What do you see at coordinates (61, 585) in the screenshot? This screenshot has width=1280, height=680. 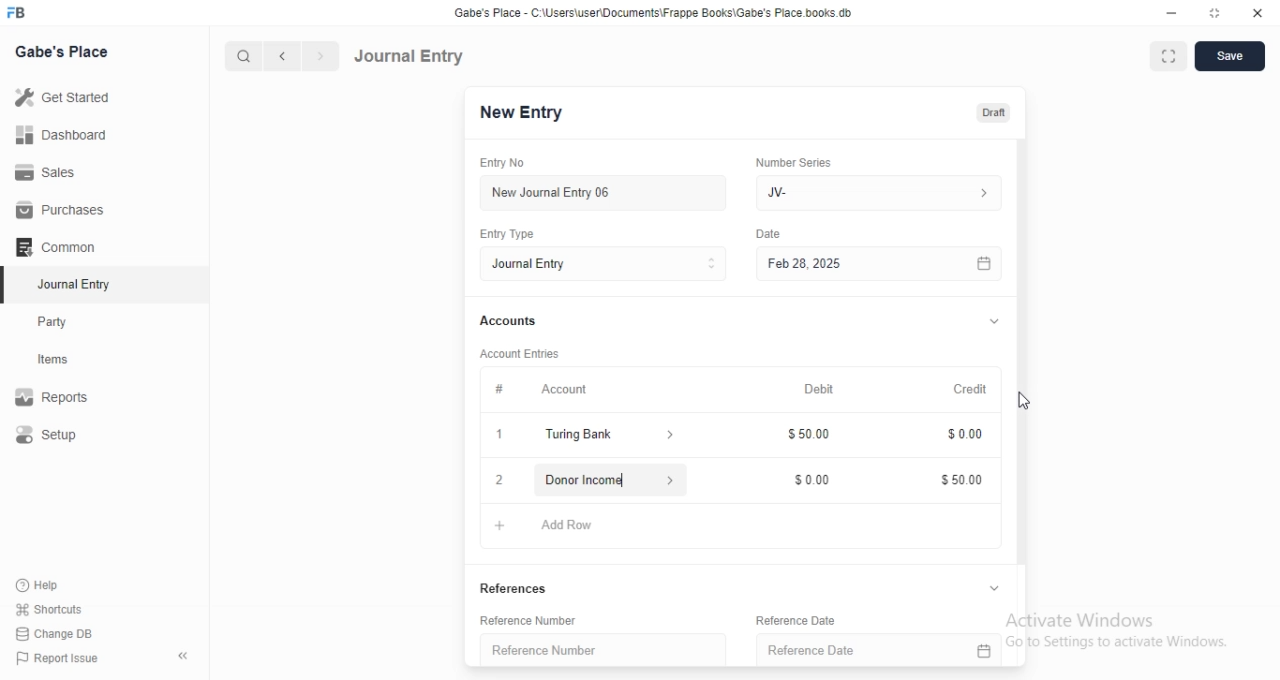 I see `‘Help` at bounding box center [61, 585].